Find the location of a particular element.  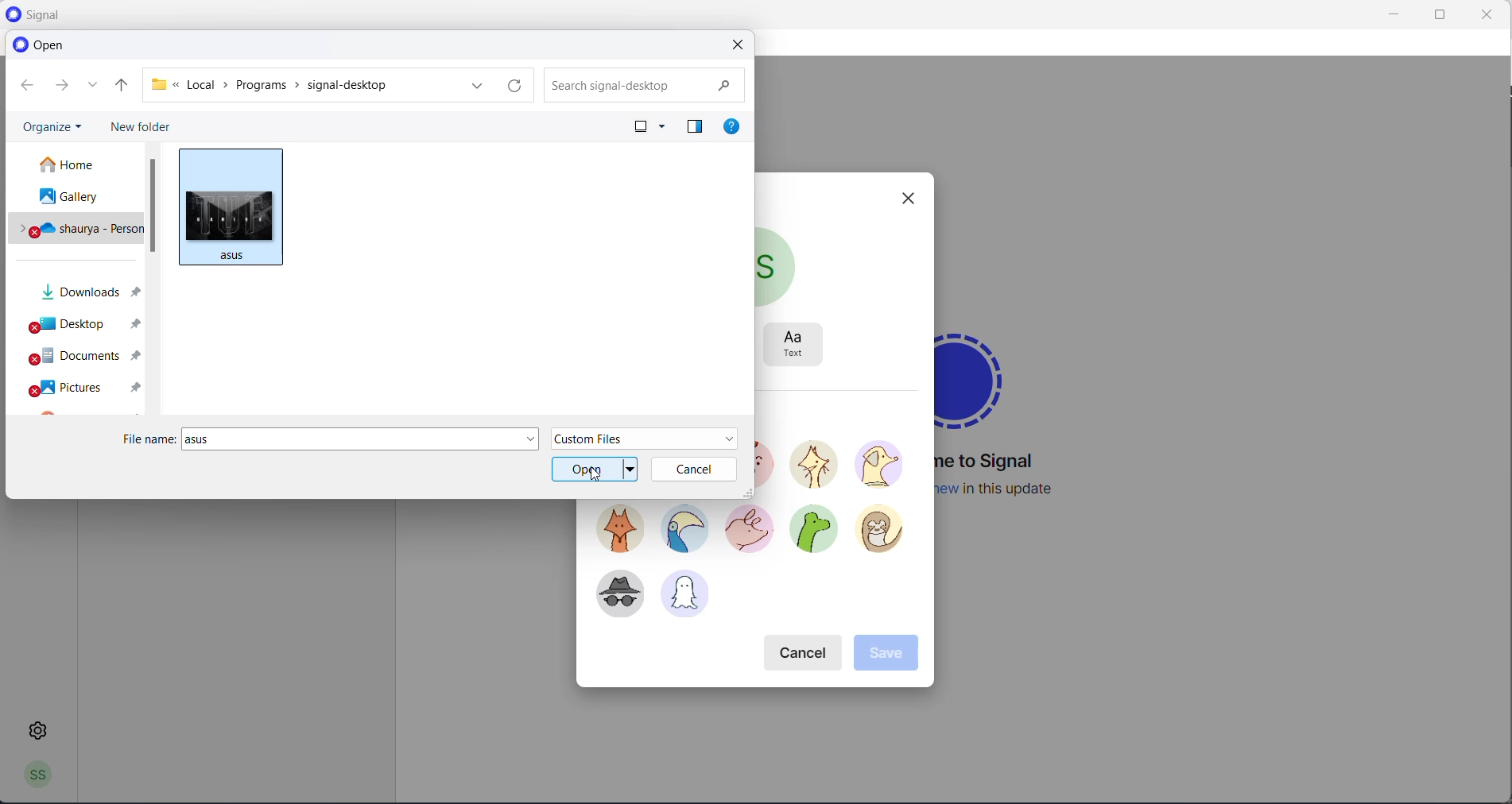

avatar is located at coordinates (886, 464).